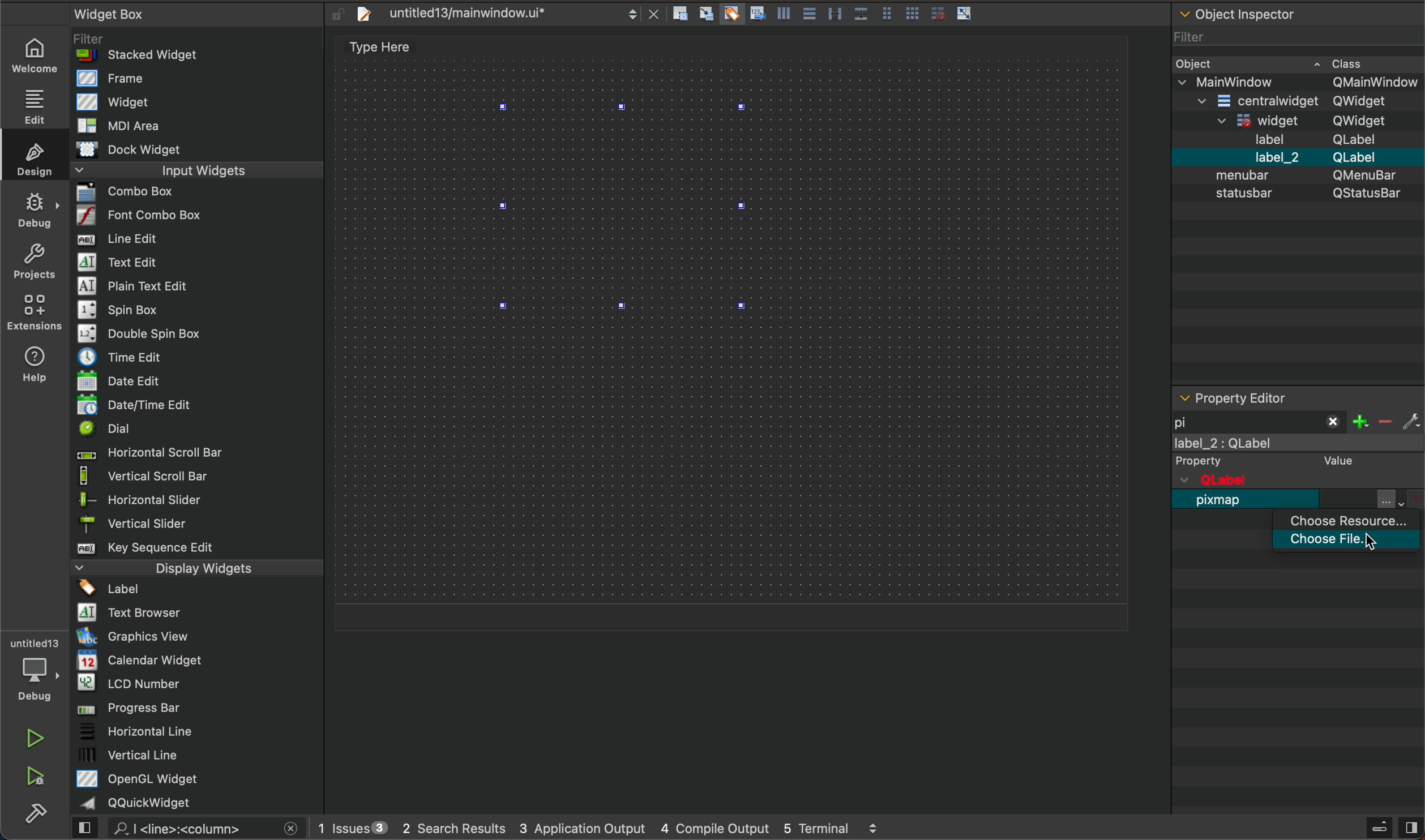 The image size is (1425, 840). What do you see at coordinates (1354, 542) in the screenshot?
I see `choose file` at bounding box center [1354, 542].